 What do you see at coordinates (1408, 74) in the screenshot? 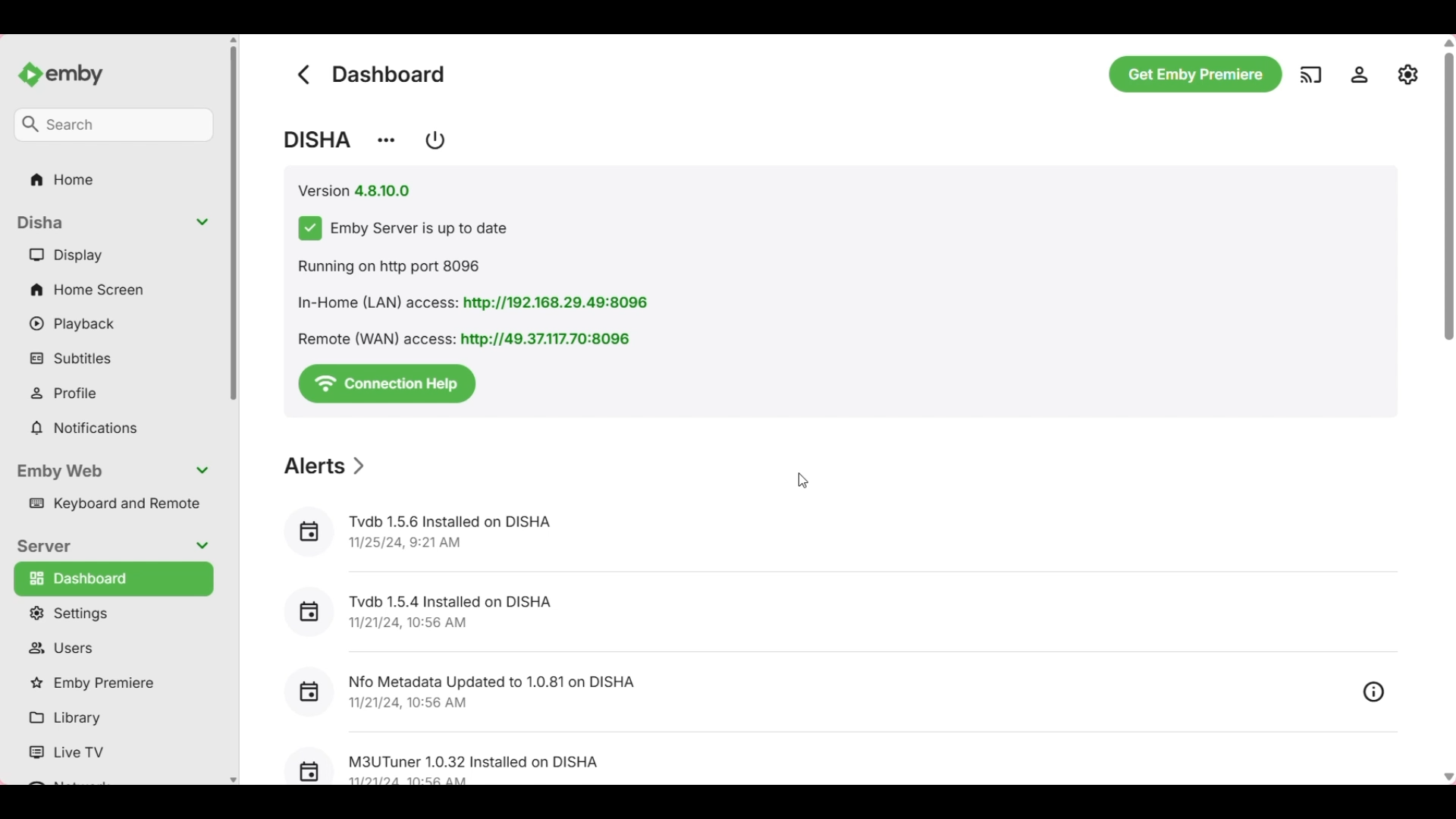
I see `Manage EMBY server` at bounding box center [1408, 74].